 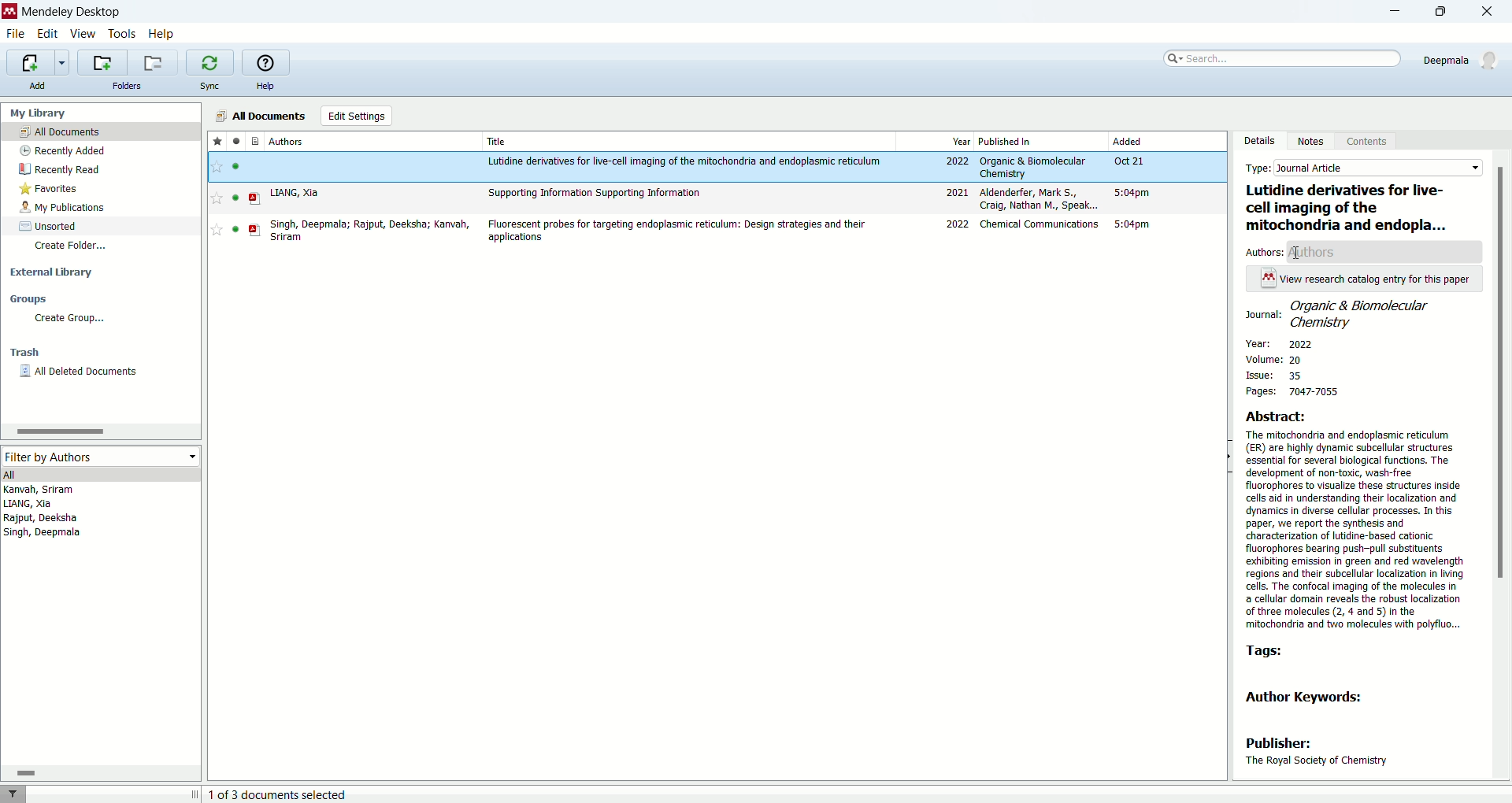 I want to click on documents type, so click(x=255, y=141).